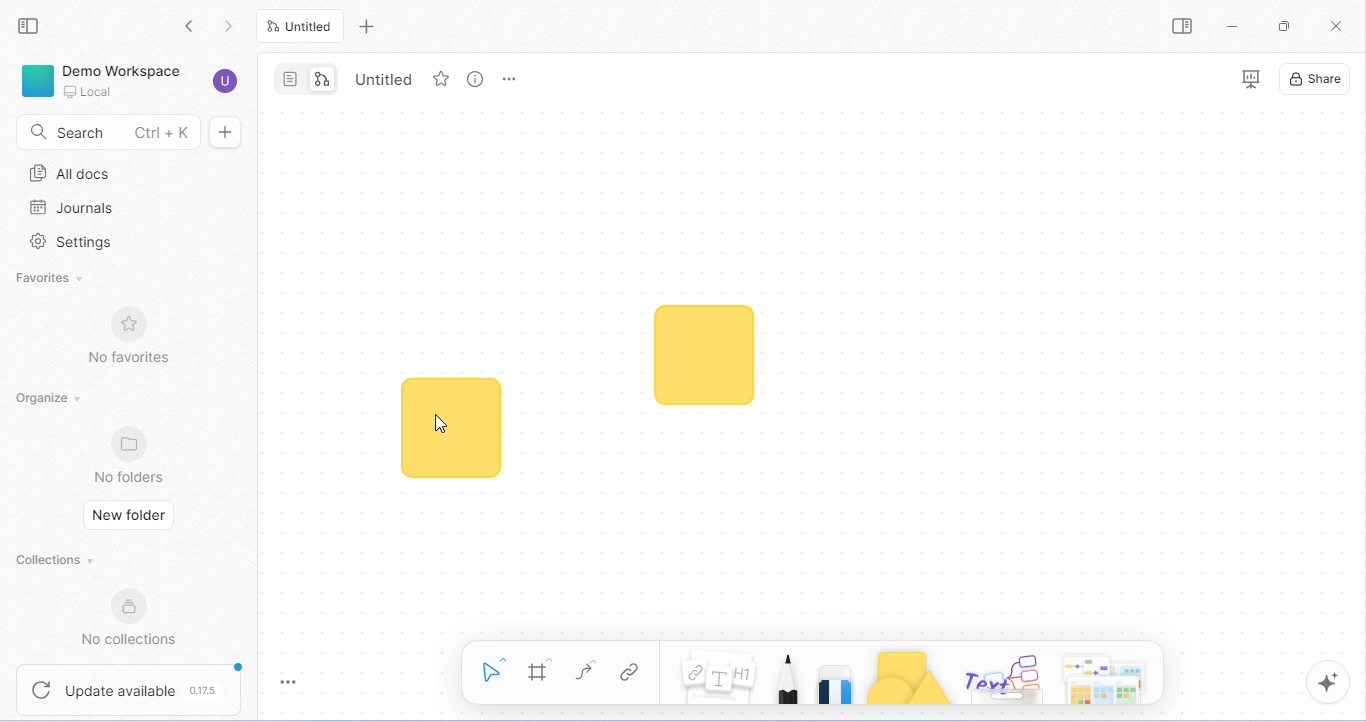  Describe the element at coordinates (292, 681) in the screenshot. I see `toggle zoom` at that location.